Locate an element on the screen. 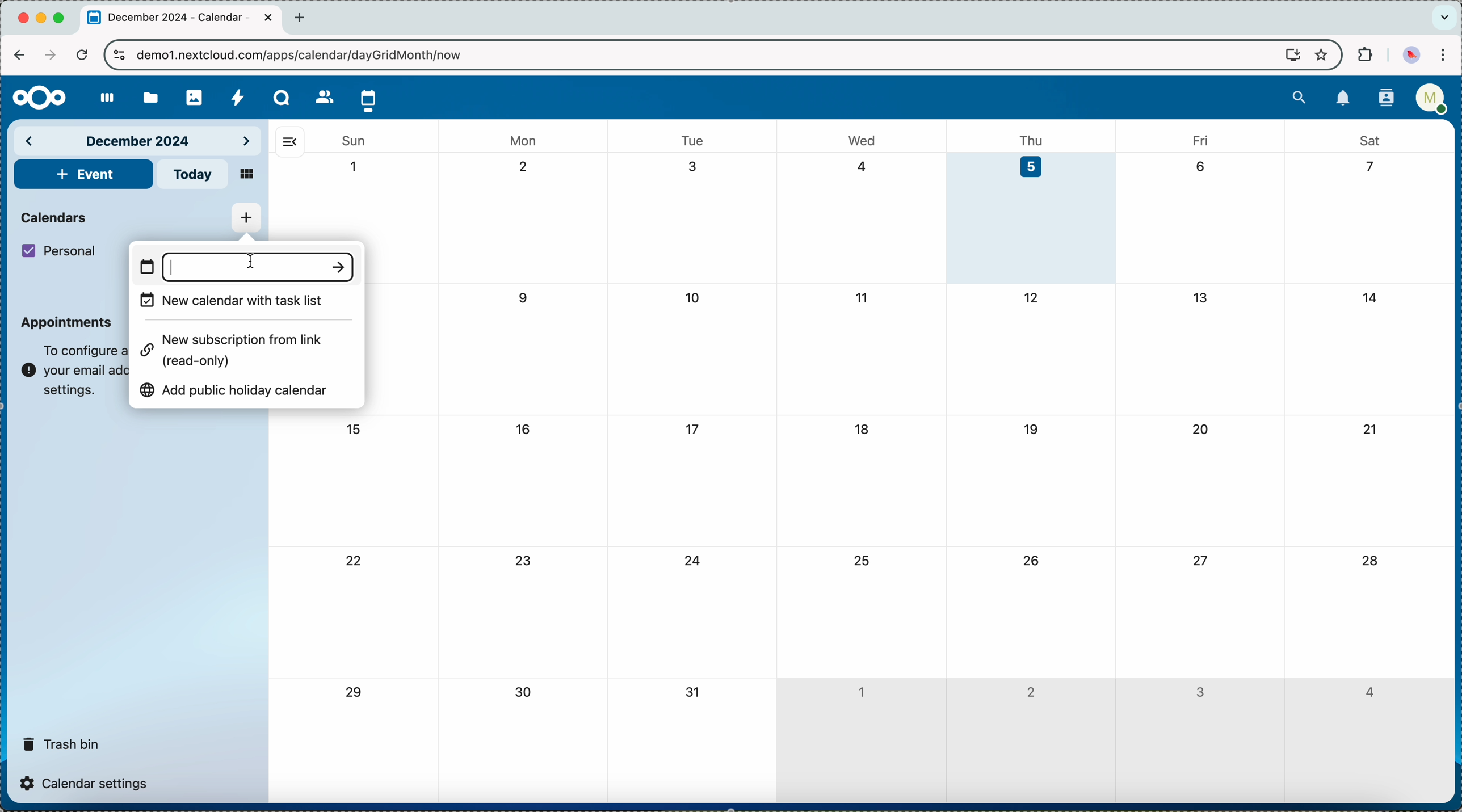 This screenshot has width=1462, height=812. 15 is located at coordinates (352, 429).